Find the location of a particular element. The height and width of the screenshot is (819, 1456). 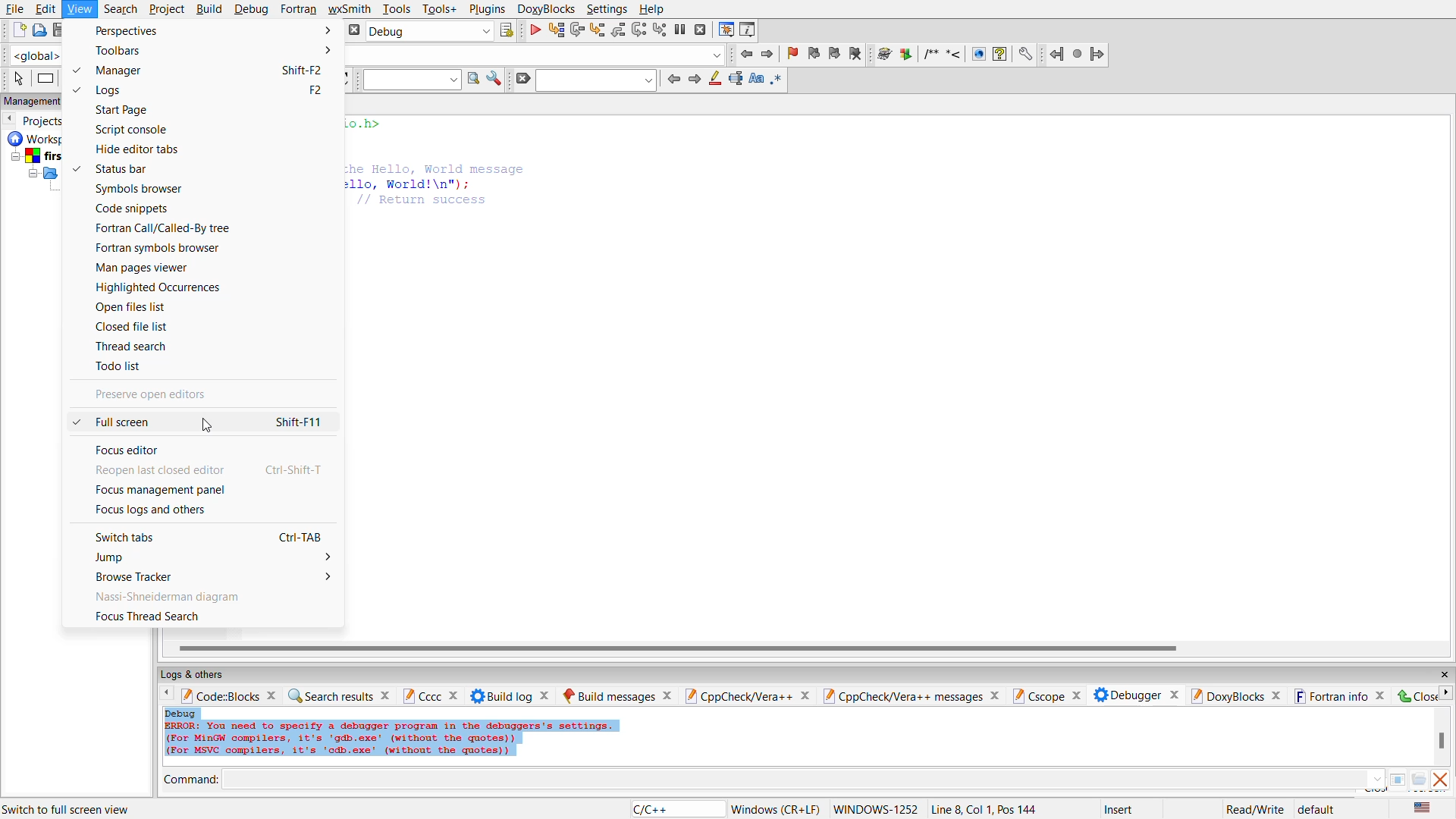

man pages viewer is located at coordinates (146, 268).